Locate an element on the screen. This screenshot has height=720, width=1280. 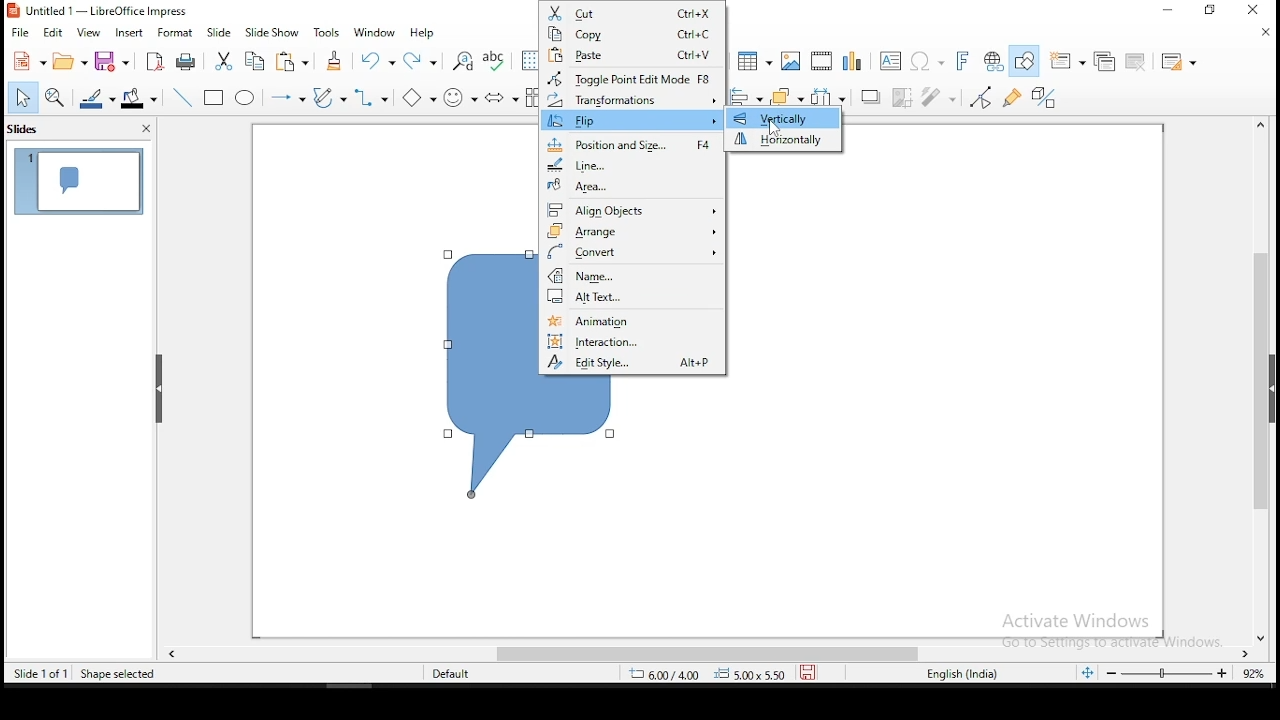
view is located at coordinates (91, 33).